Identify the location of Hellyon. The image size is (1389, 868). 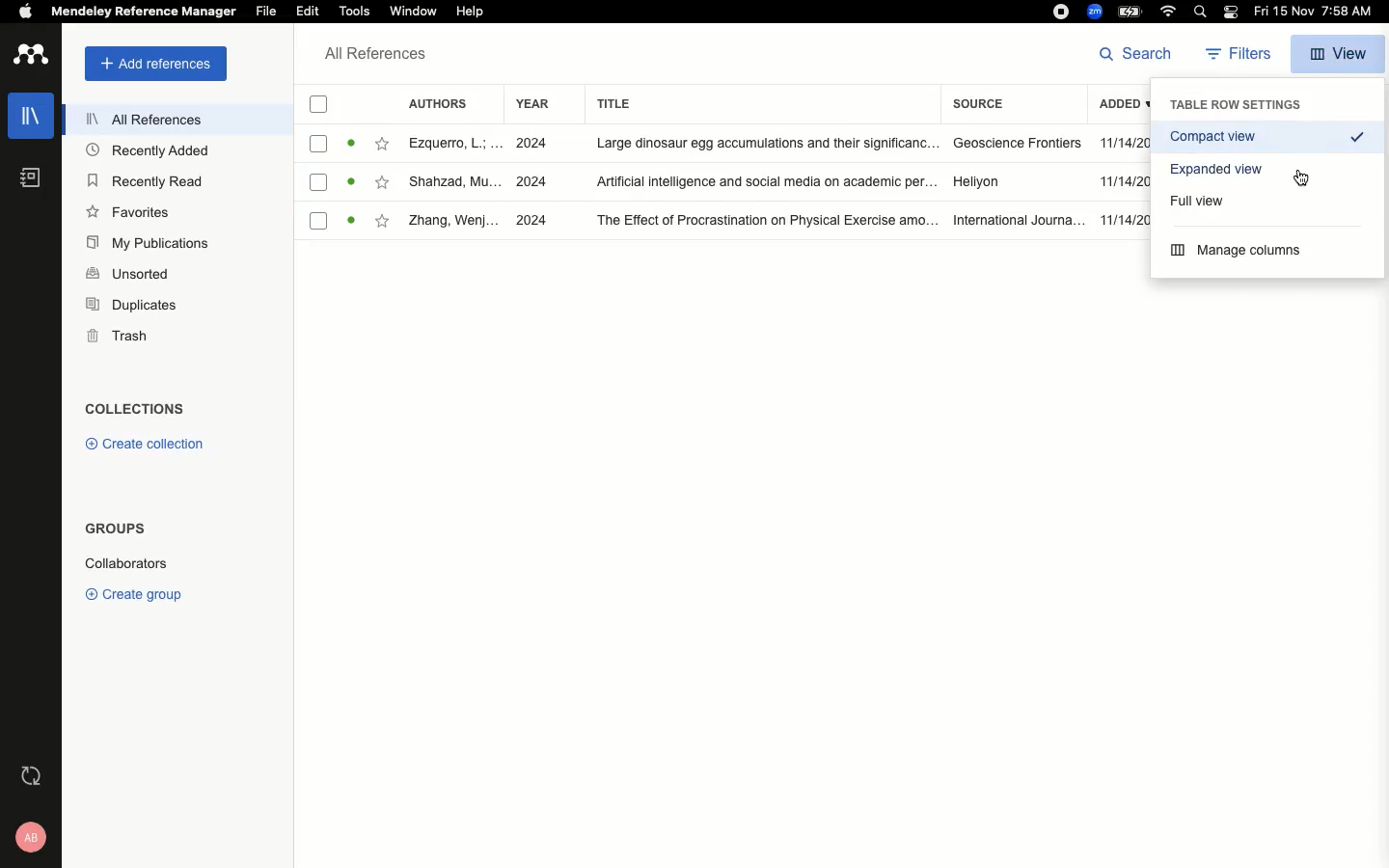
(980, 183).